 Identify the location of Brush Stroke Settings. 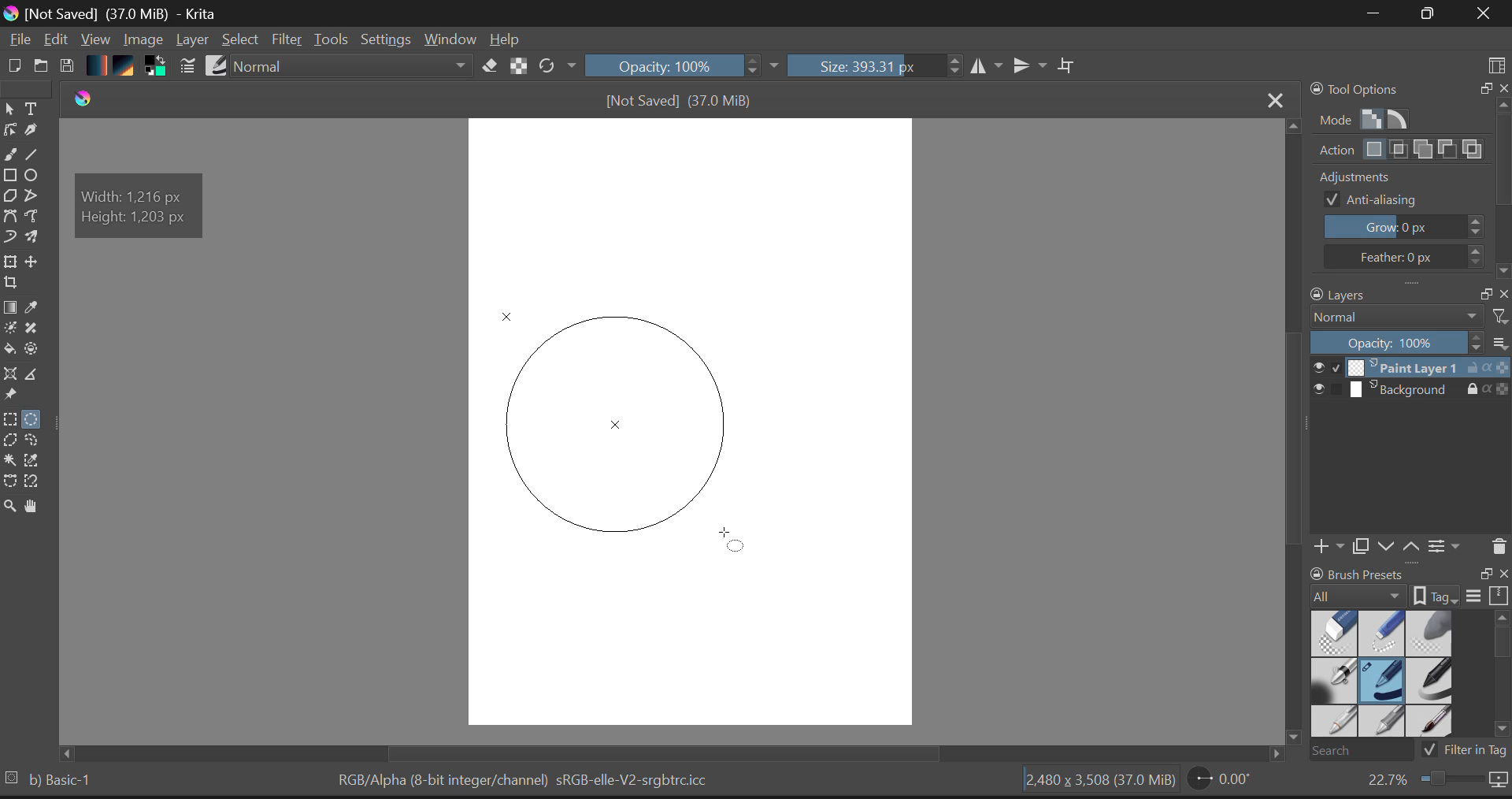
(186, 66).